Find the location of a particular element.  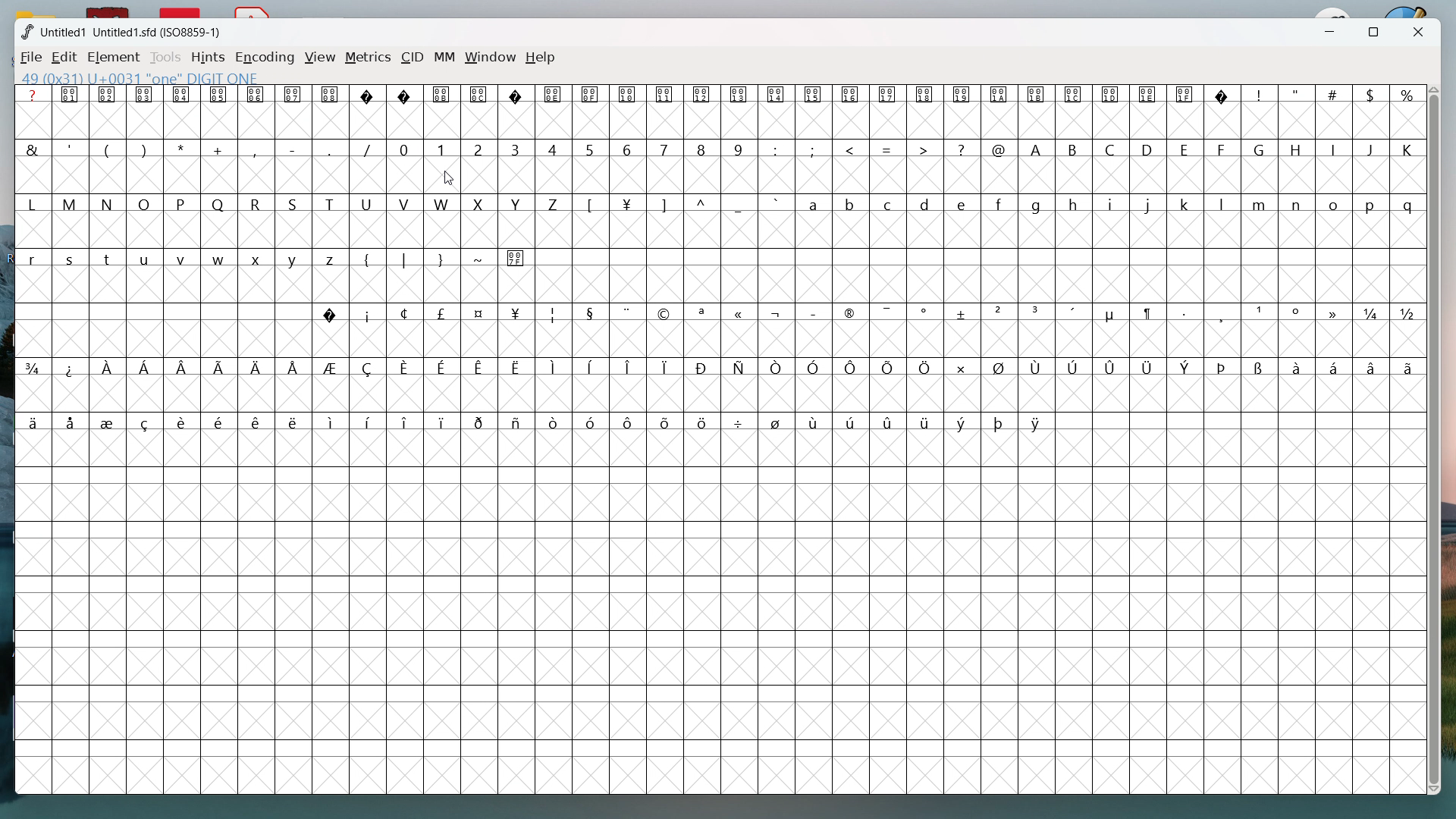

* is located at coordinates (184, 148).